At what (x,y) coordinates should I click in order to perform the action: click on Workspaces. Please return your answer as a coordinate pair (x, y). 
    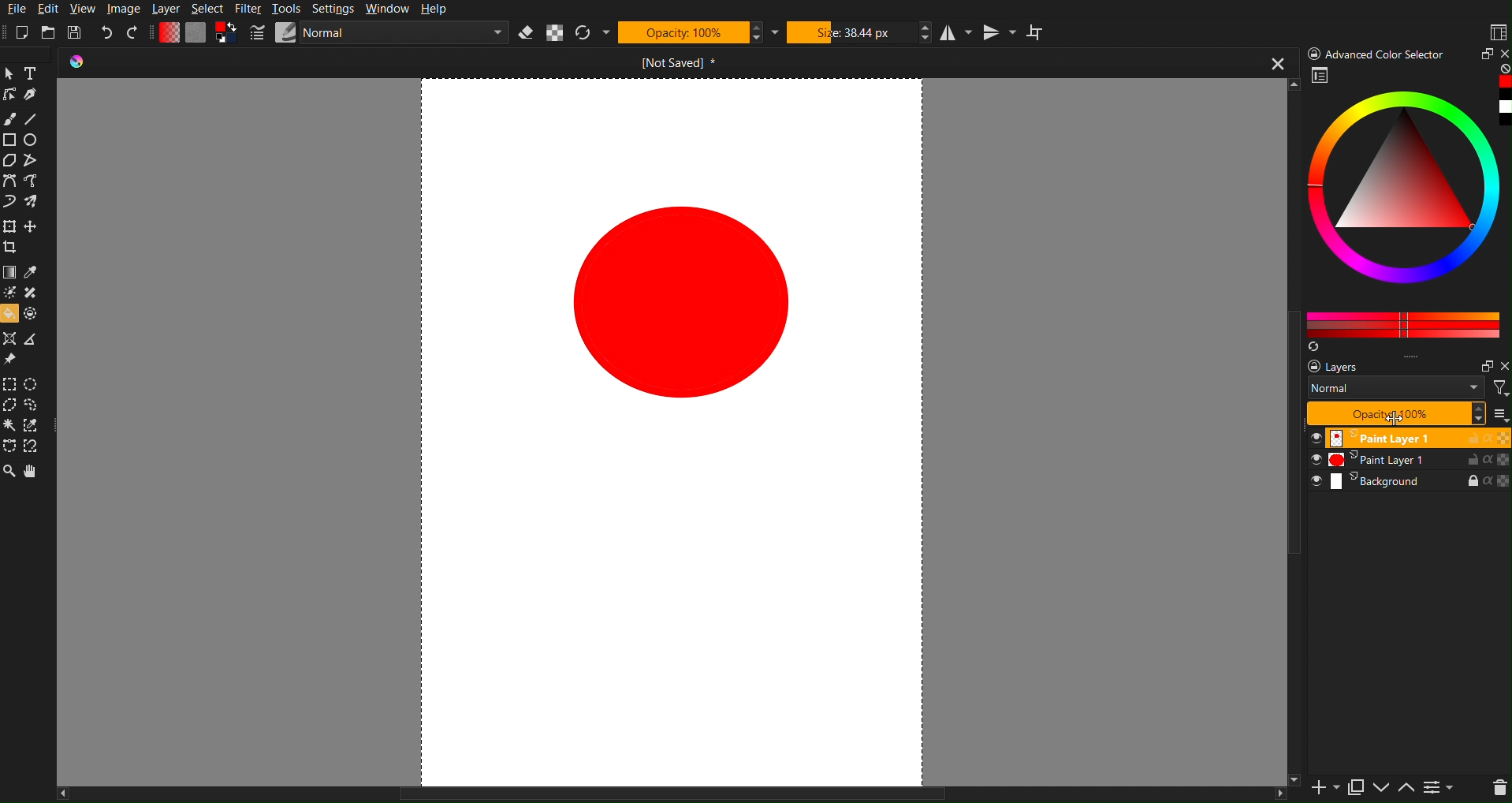
    Looking at the image, I should click on (1497, 31).